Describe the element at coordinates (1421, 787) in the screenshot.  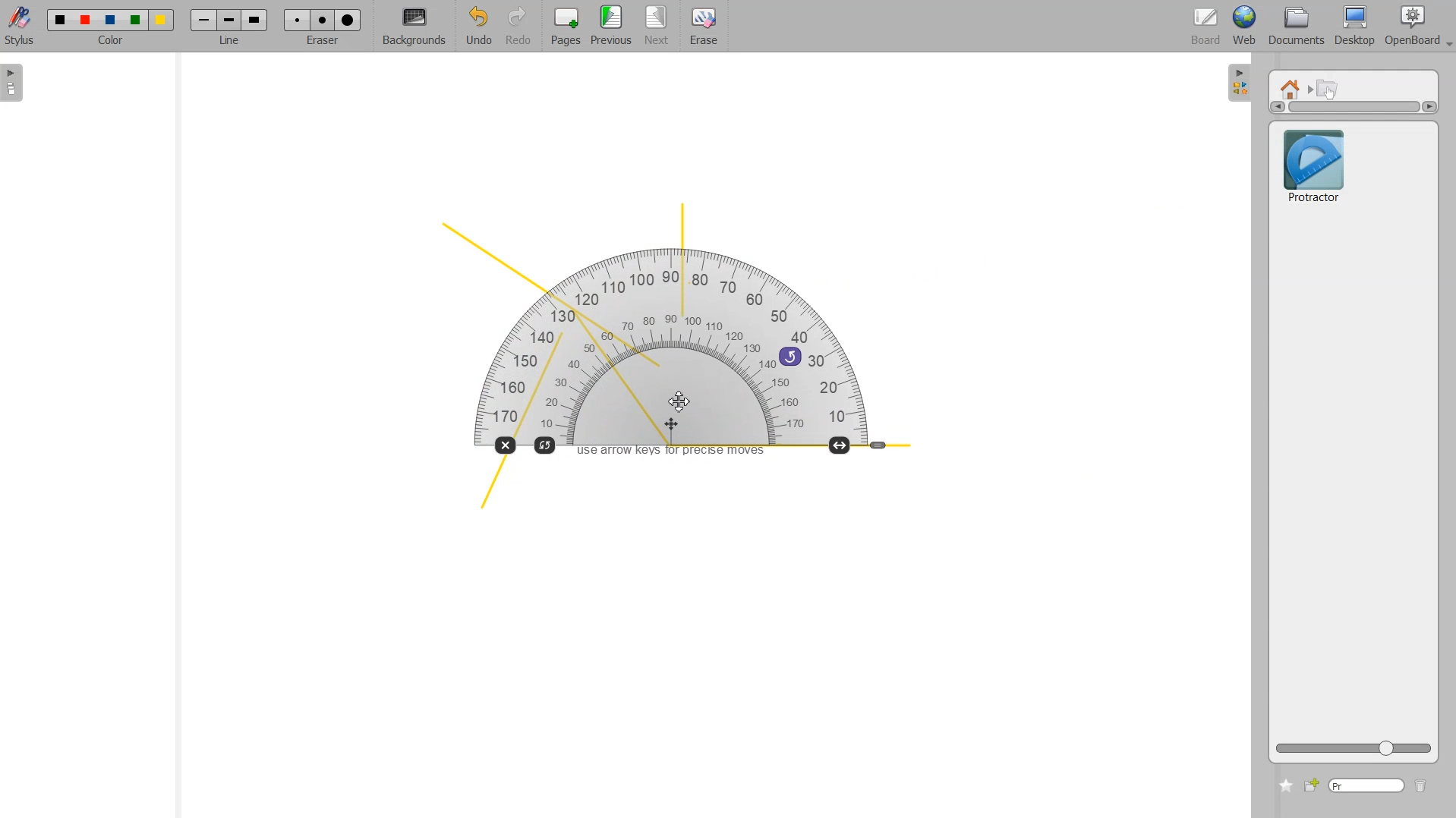
I see `Delete` at that location.